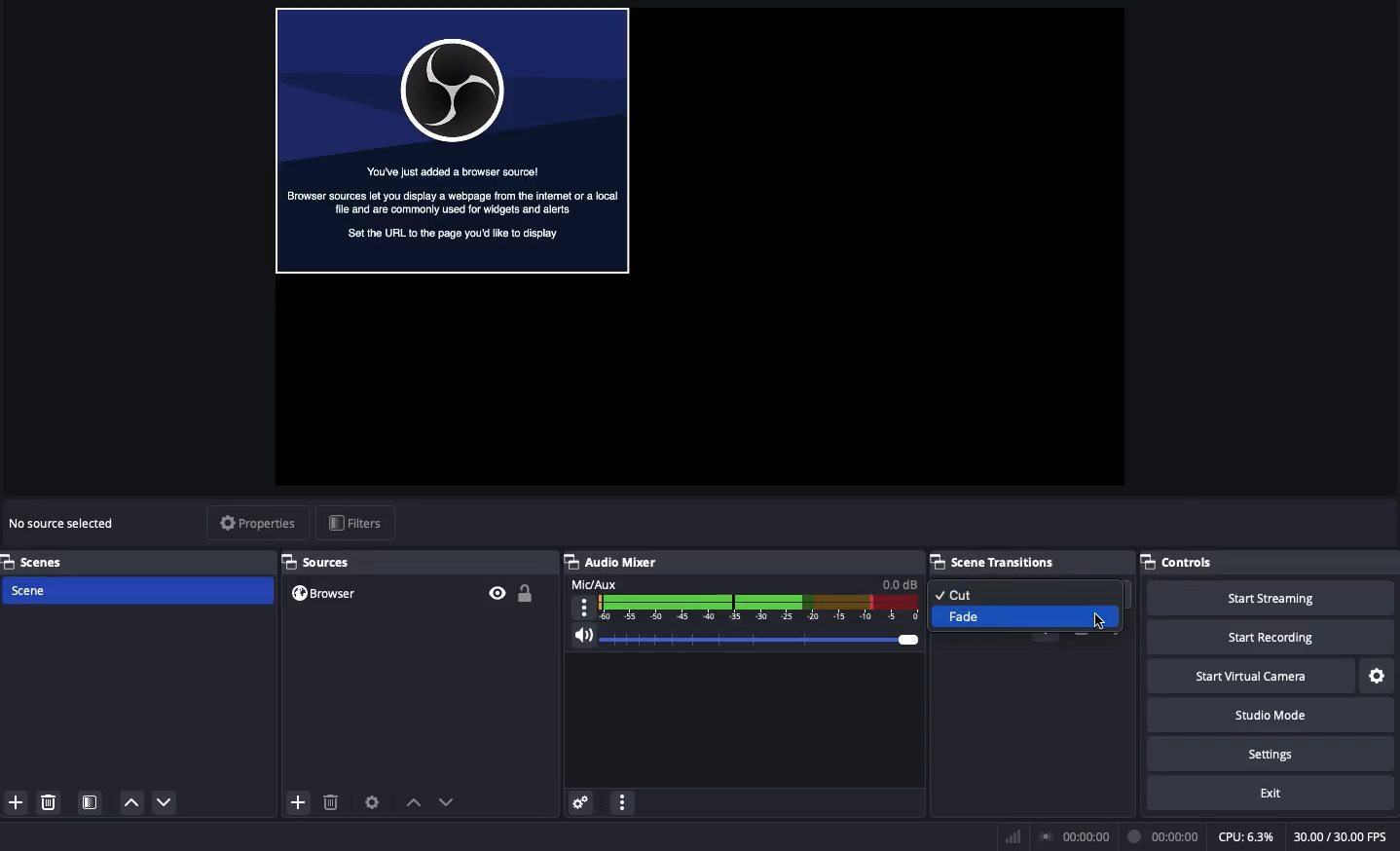 This screenshot has height=851, width=1400. What do you see at coordinates (1270, 793) in the screenshot?
I see `Exit` at bounding box center [1270, 793].